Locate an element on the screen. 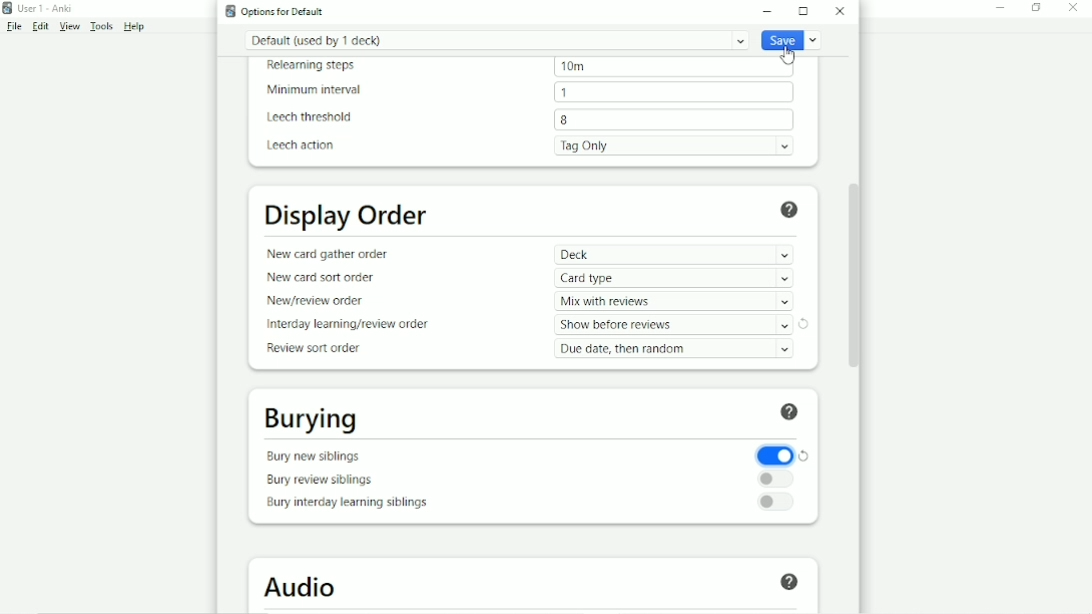 This screenshot has width=1092, height=614. User 1 - Anki is located at coordinates (40, 7).